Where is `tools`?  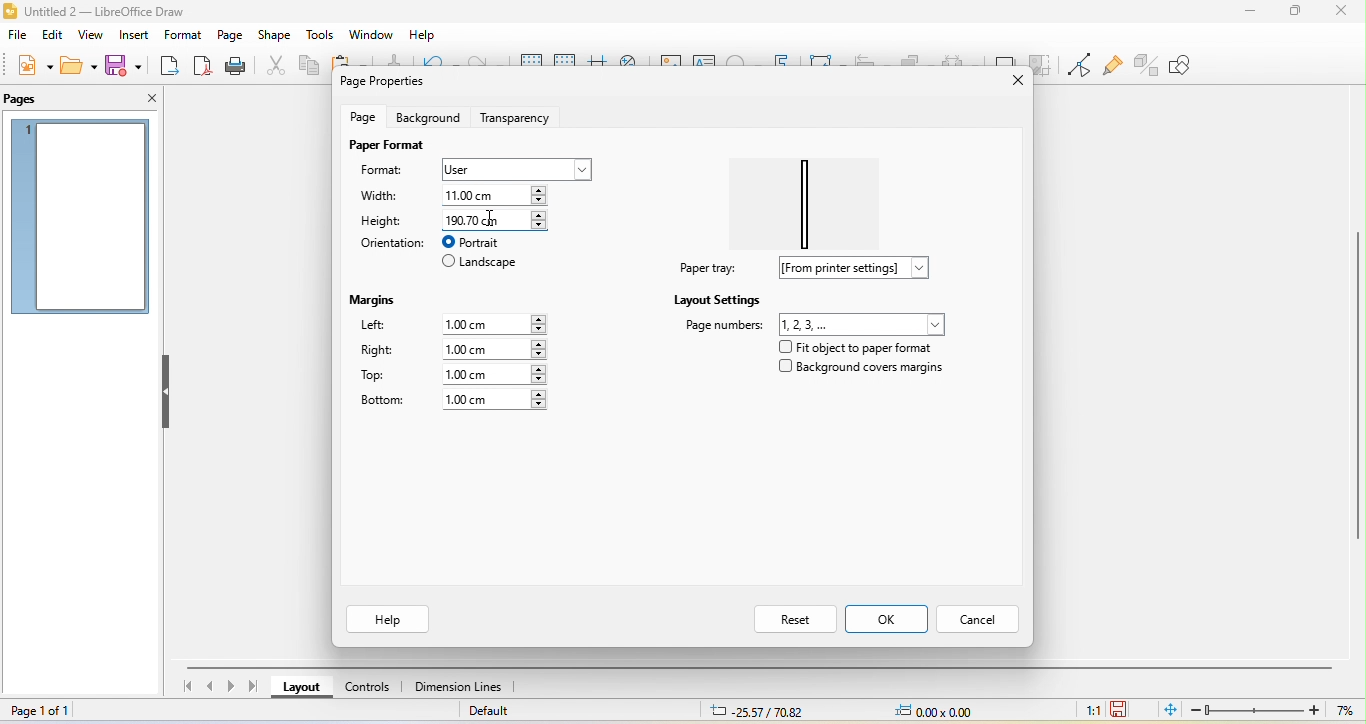
tools is located at coordinates (321, 36).